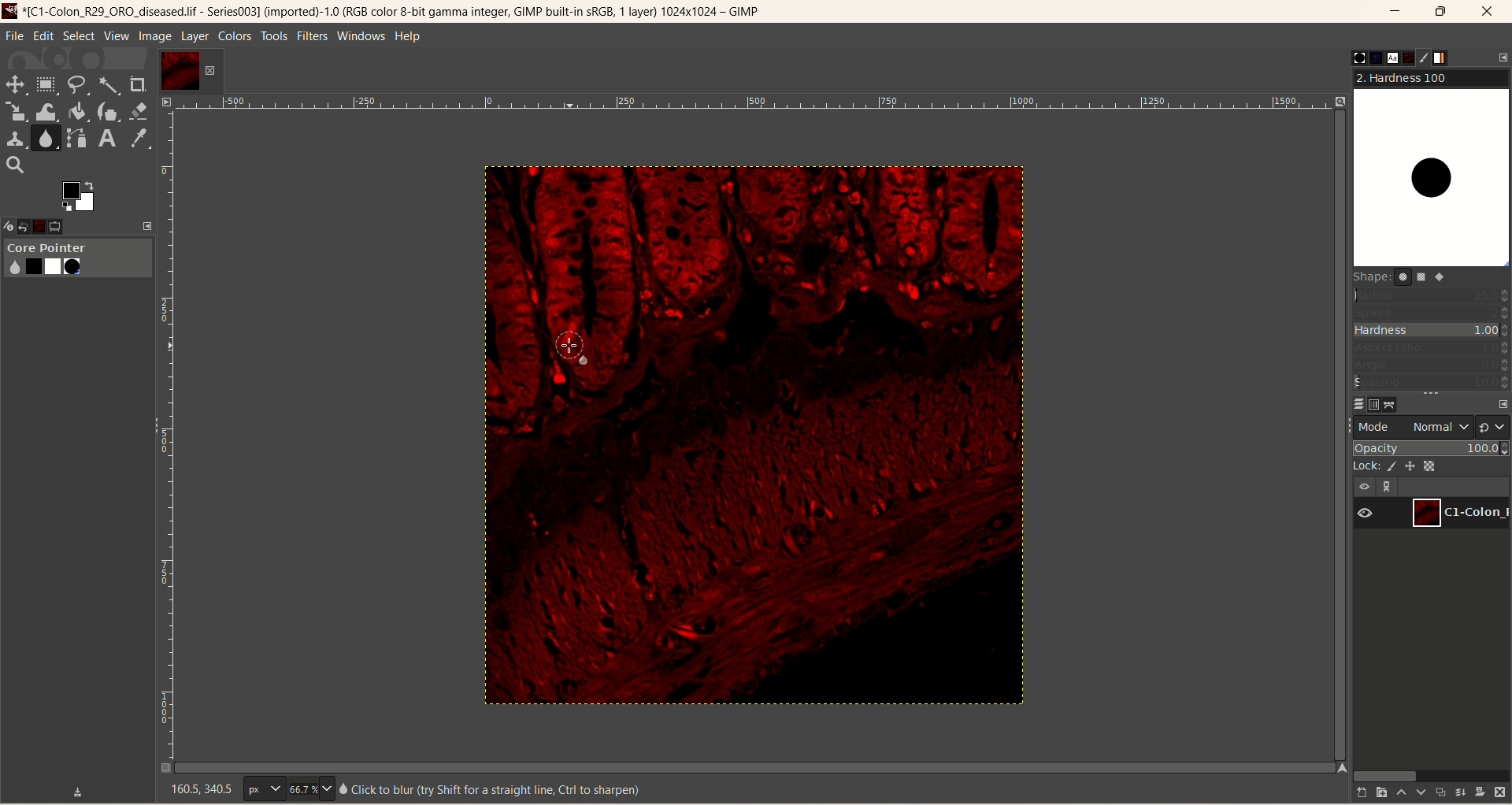 Image resolution: width=1512 pixels, height=805 pixels. I want to click on image, so click(155, 37).